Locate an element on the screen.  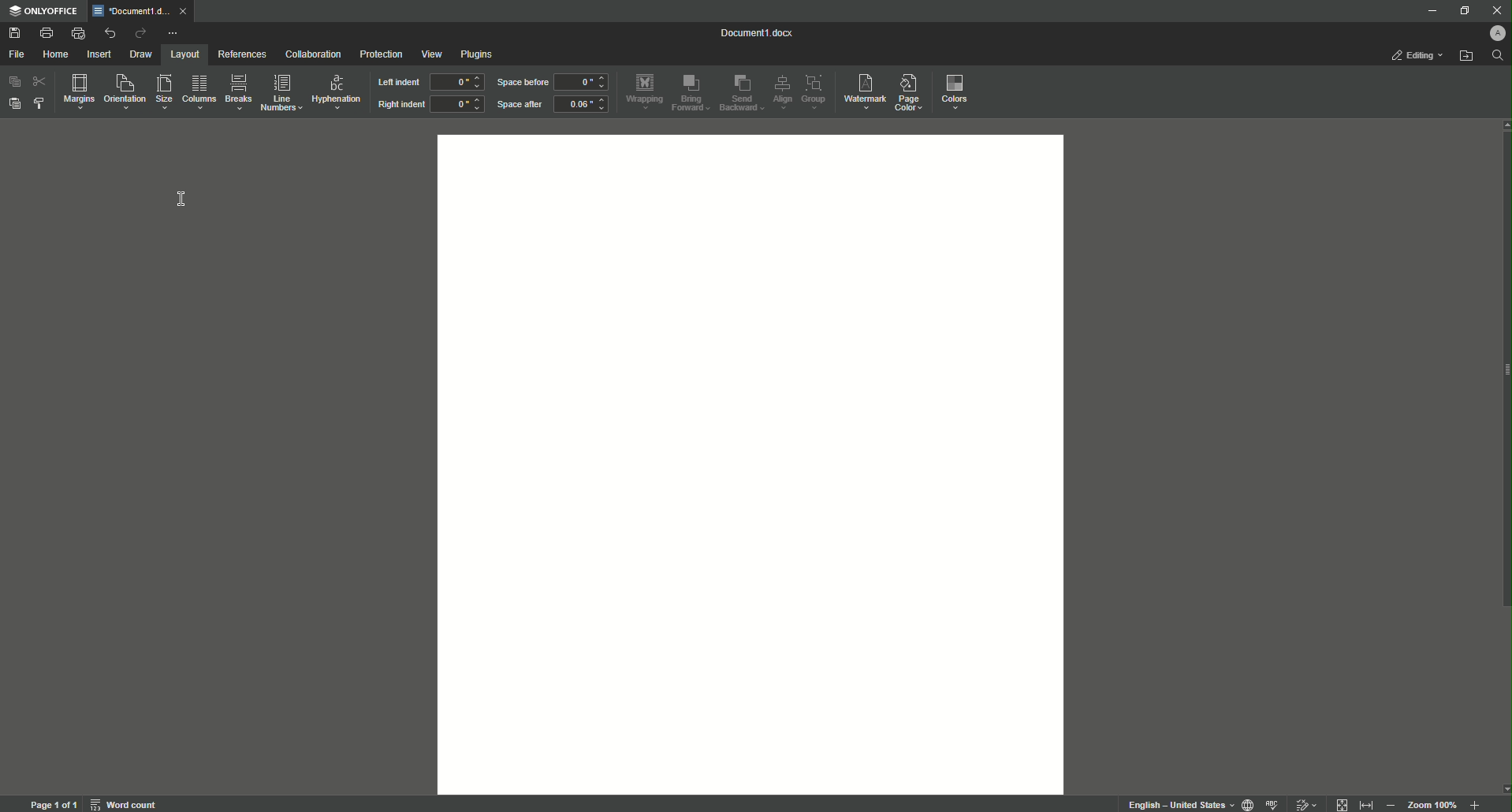
Fit to Width is located at coordinates (1367, 801).